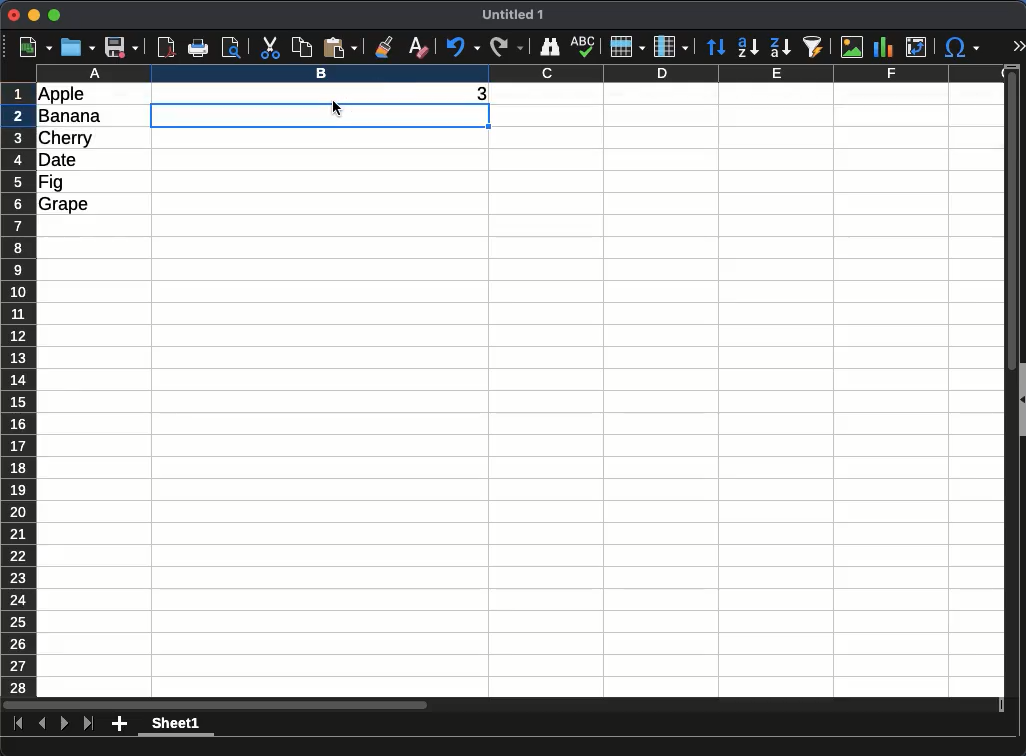 This screenshot has height=756, width=1026. What do you see at coordinates (916, 47) in the screenshot?
I see `pivot table` at bounding box center [916, 47].